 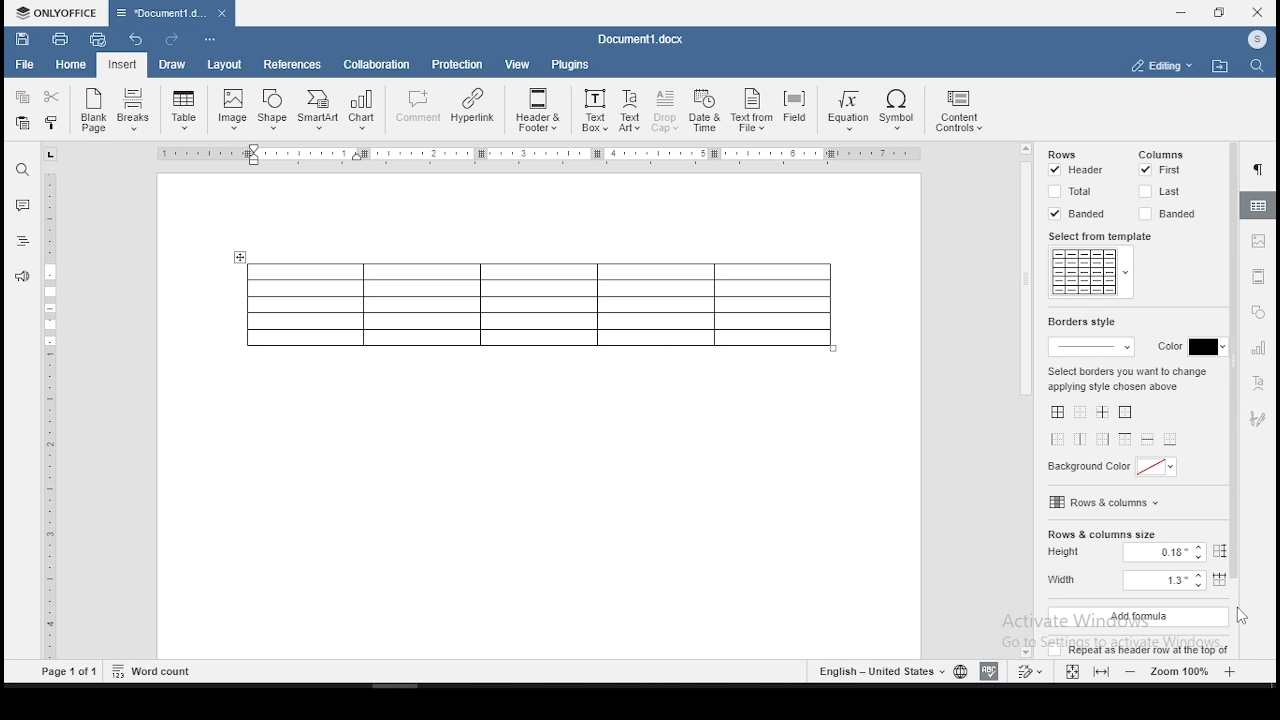 What do you see at coordinates (537, 110) in the screenshot?
I see `Header & Footer` at bounding box center [537, 110].